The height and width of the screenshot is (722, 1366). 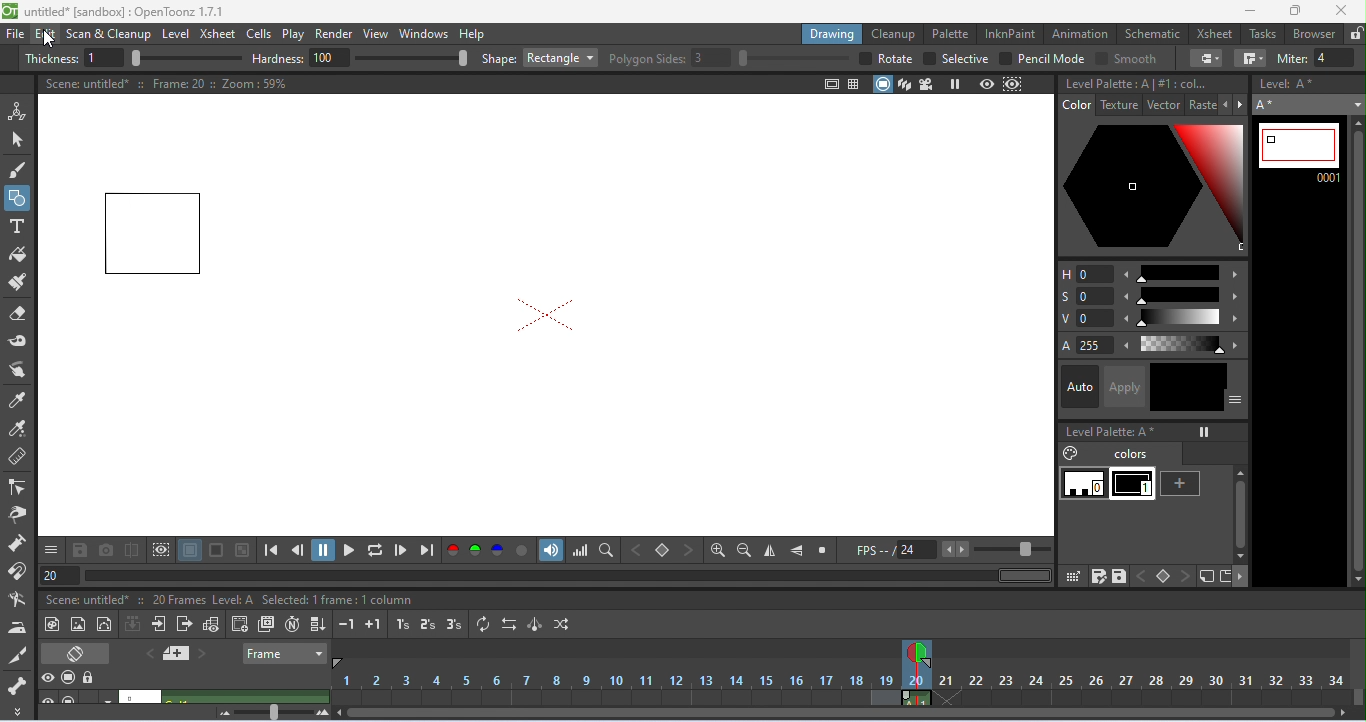 What do you see at coordinates (20, 368) in the screenshot?
I see `finger` at bounding box center [20, 368].